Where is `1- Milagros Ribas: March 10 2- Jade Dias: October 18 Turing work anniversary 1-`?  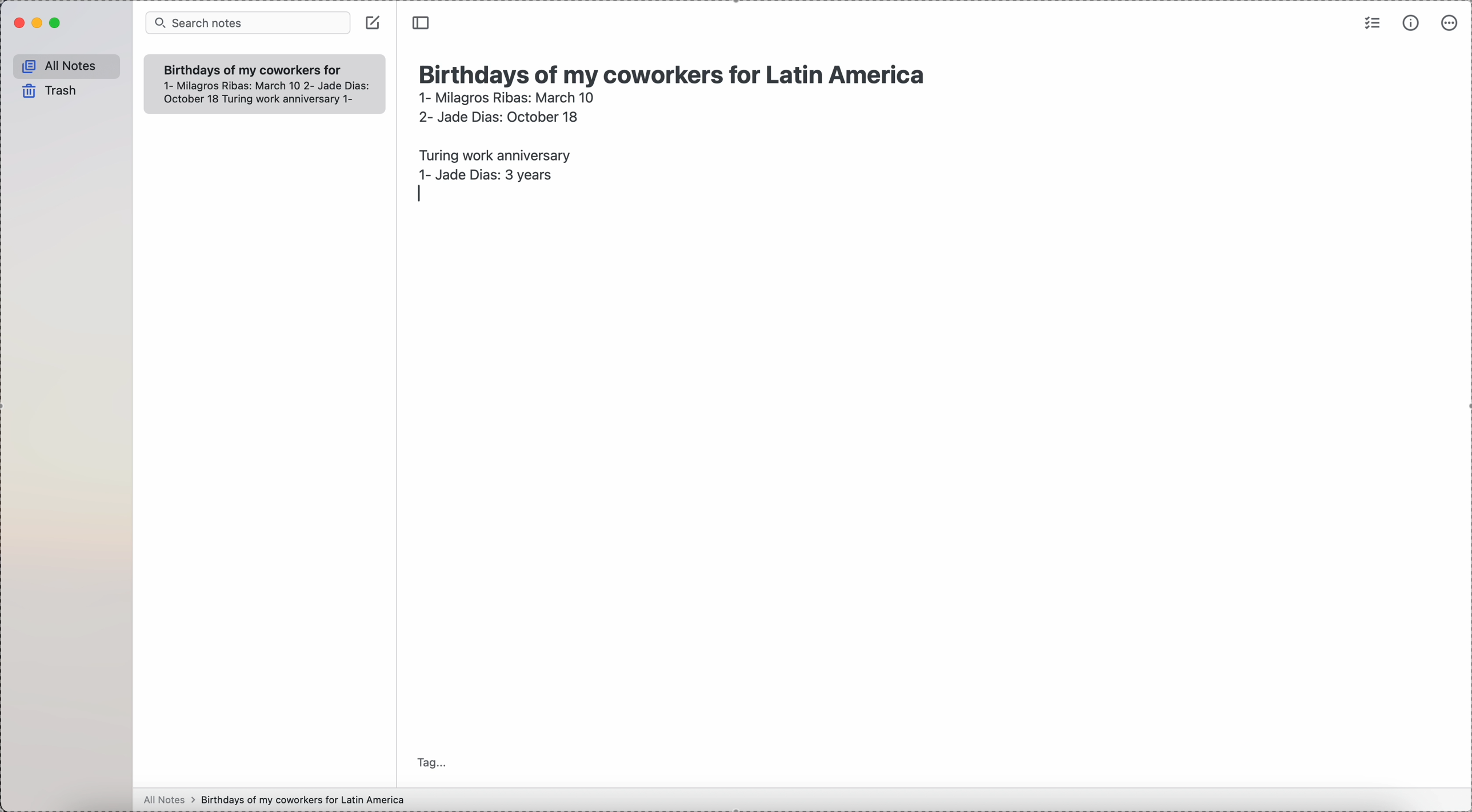
1- Milagros Ribas: March 10 2- Jade Dias: October 18 Turing work anniversary 1- is located at coordinates (259, 93).